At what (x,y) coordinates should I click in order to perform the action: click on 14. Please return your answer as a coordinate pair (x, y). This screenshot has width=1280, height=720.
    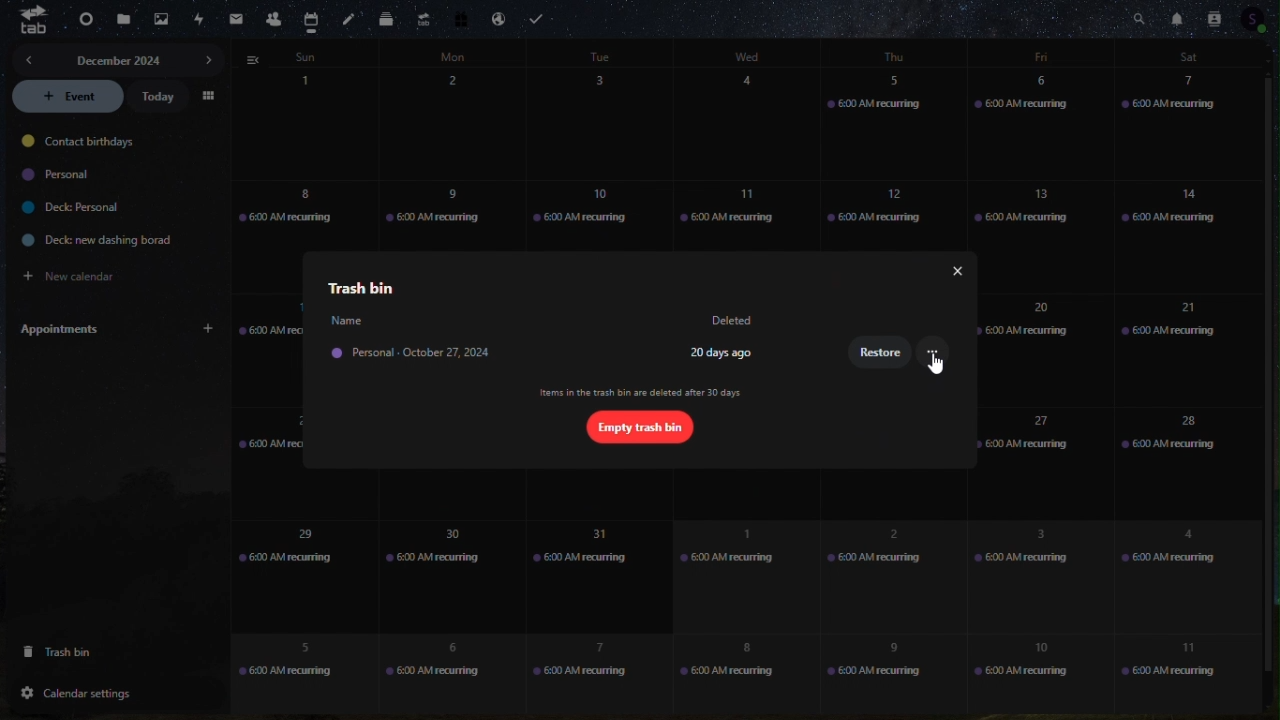
    Looking at the image, I should click on (1189, 235).